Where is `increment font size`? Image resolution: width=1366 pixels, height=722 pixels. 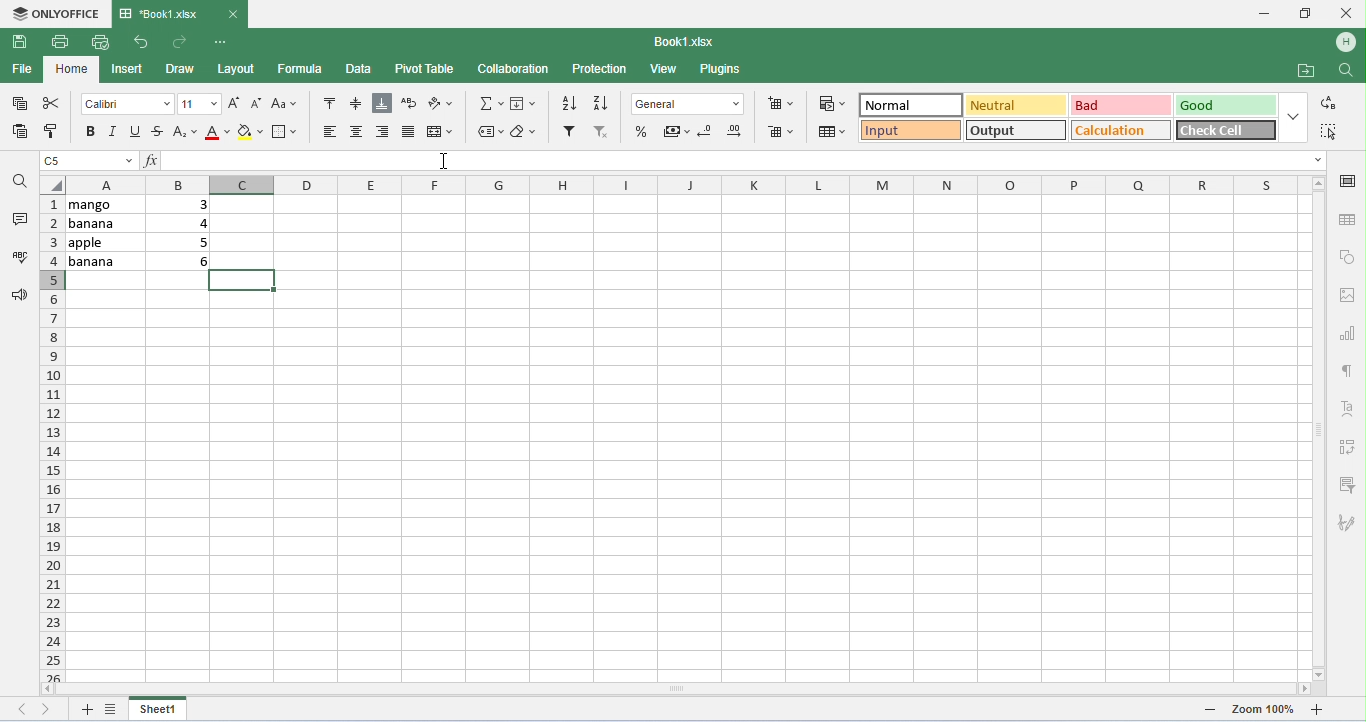
increment font size is located at coordinates (235, 103).